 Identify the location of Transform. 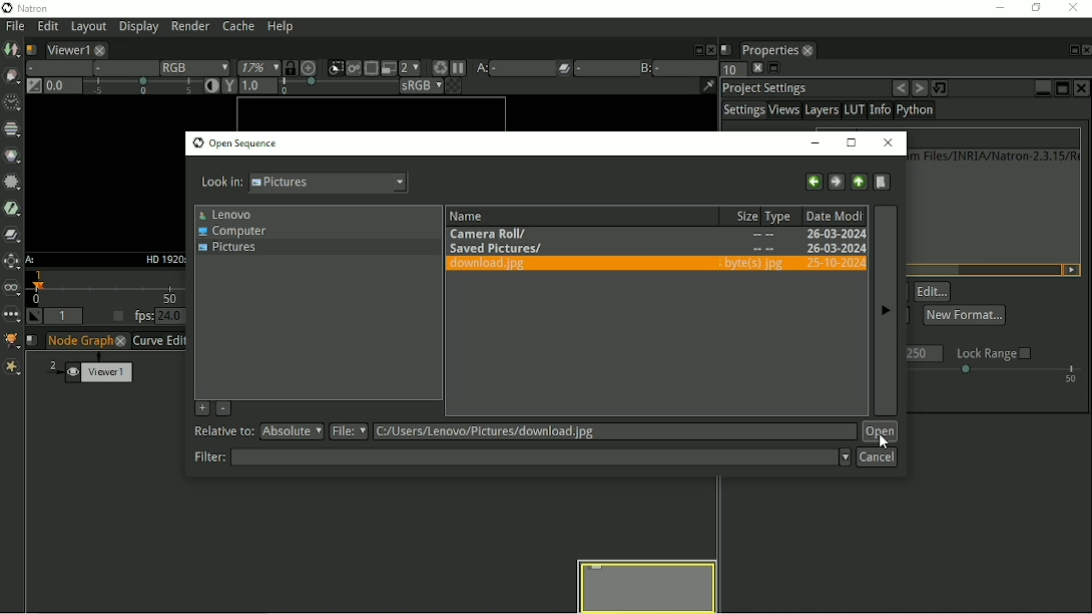
(12, 262).